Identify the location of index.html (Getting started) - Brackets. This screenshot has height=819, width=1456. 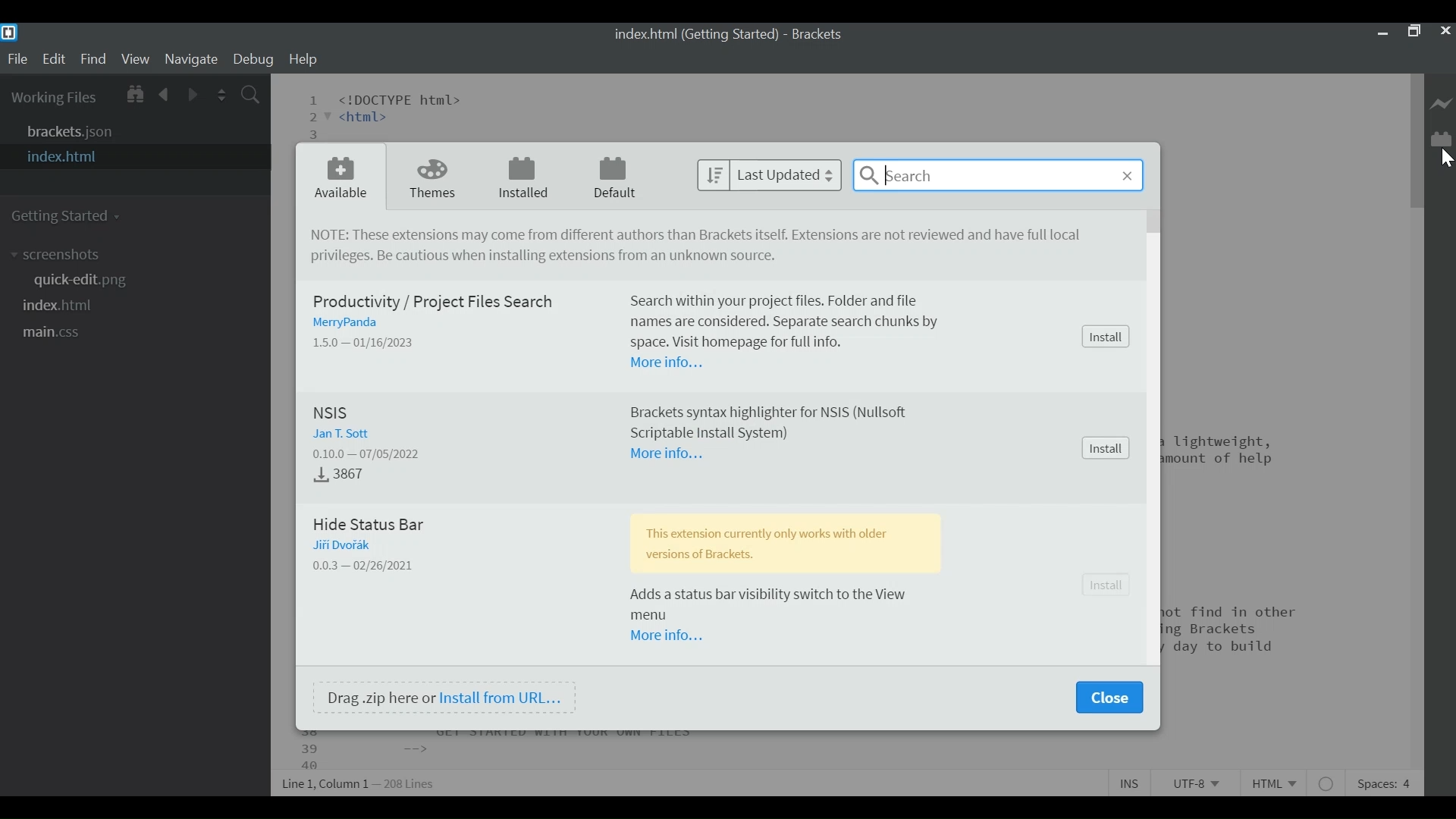
(729, 36).